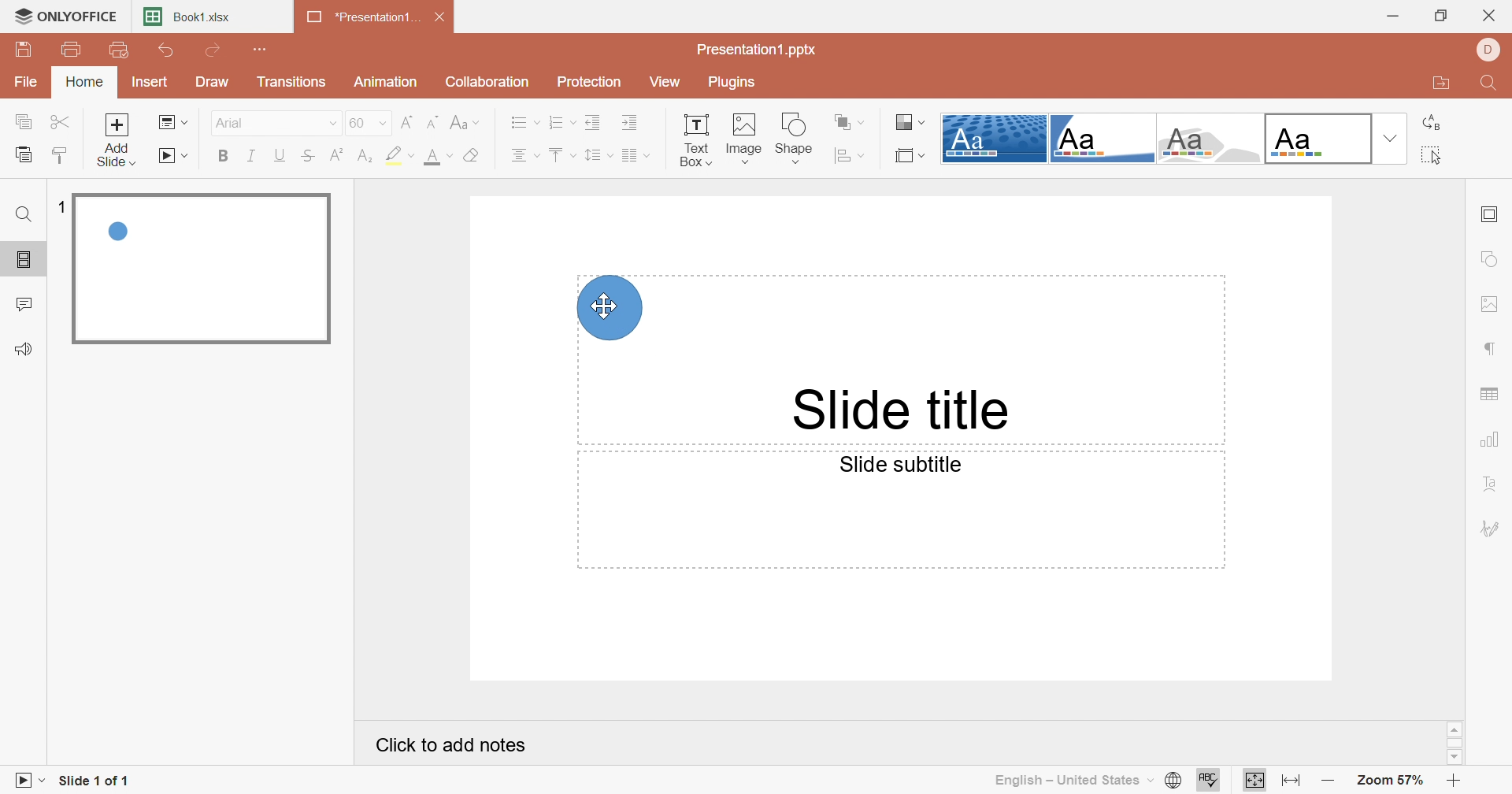 This screenshot has width=1512, height=794. Describe the element at coordinates (435, 121) in the screenshot. I see `Decrement font size` at that location.